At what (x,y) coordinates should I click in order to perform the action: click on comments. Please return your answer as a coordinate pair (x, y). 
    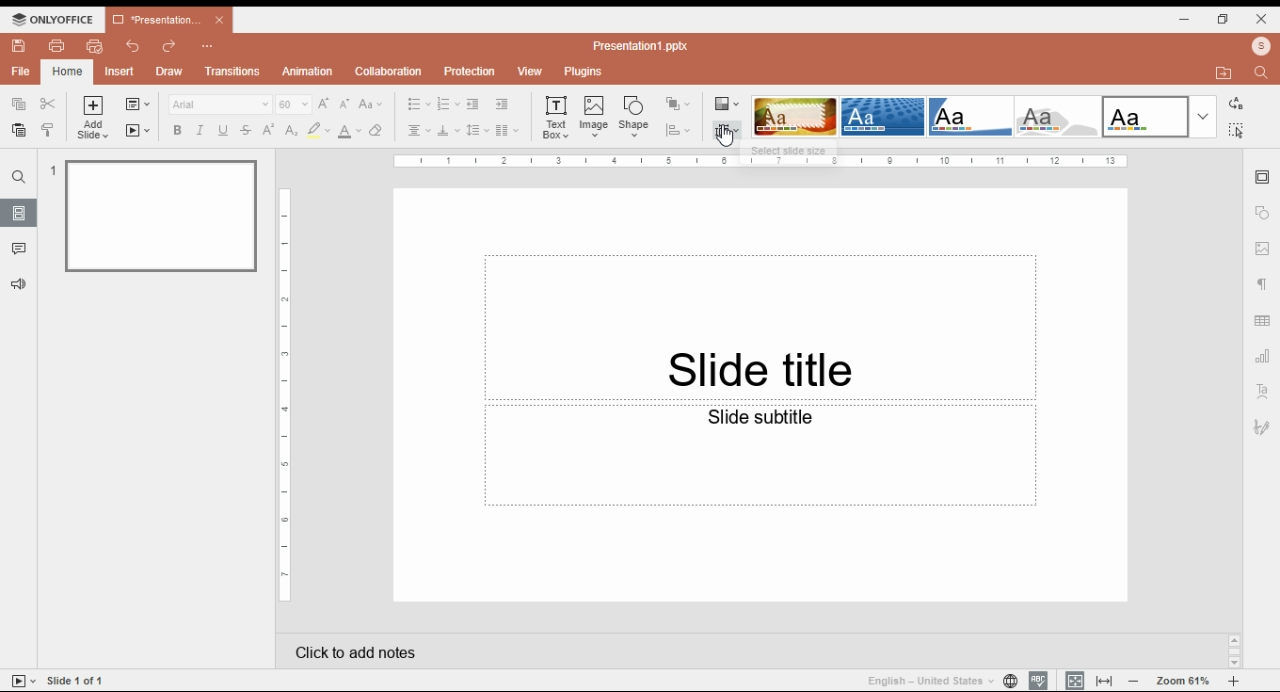
    Looking at the image, I should click on (19, 249).